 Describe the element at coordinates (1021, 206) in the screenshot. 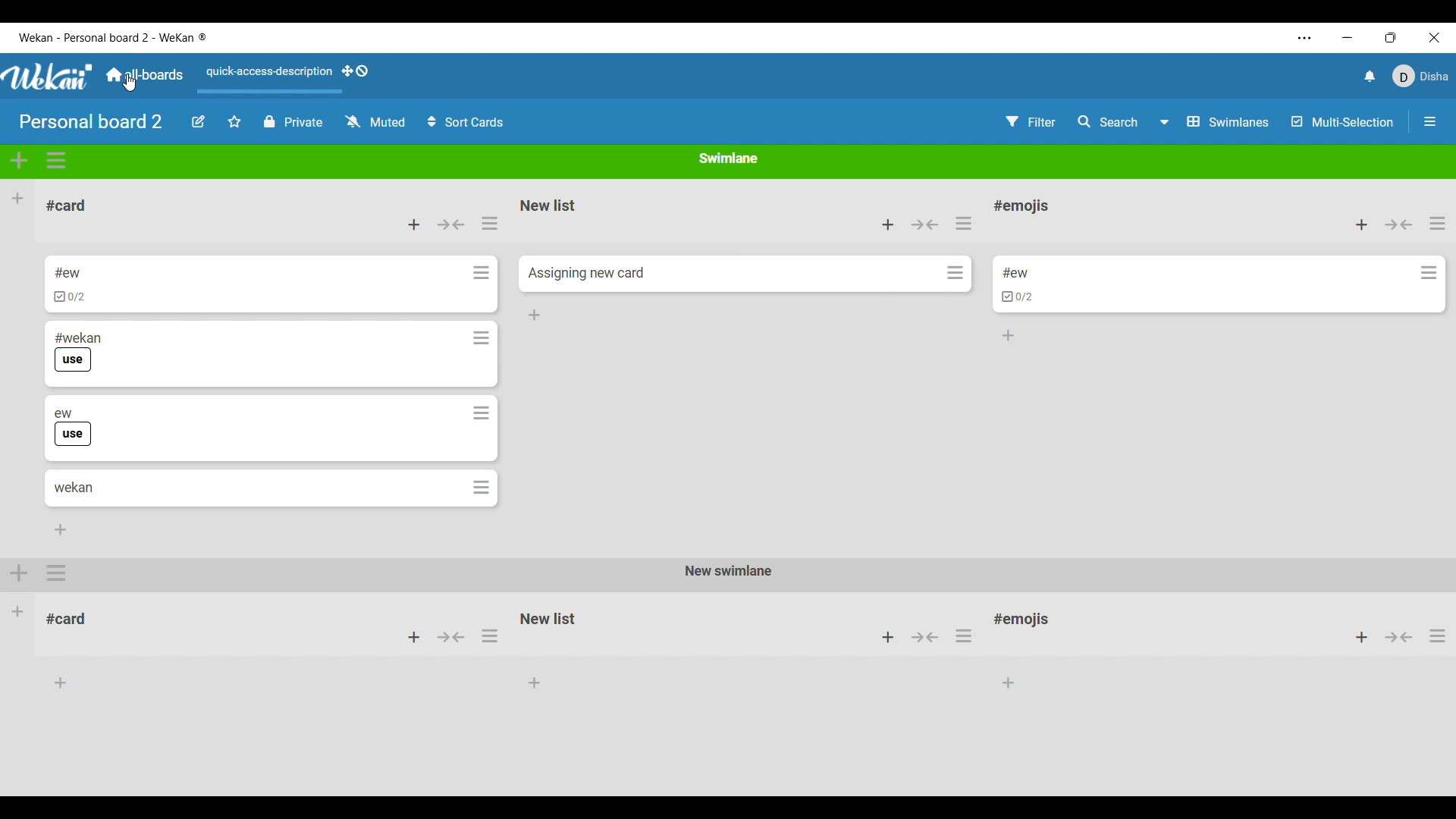

I see `List name` at that location.